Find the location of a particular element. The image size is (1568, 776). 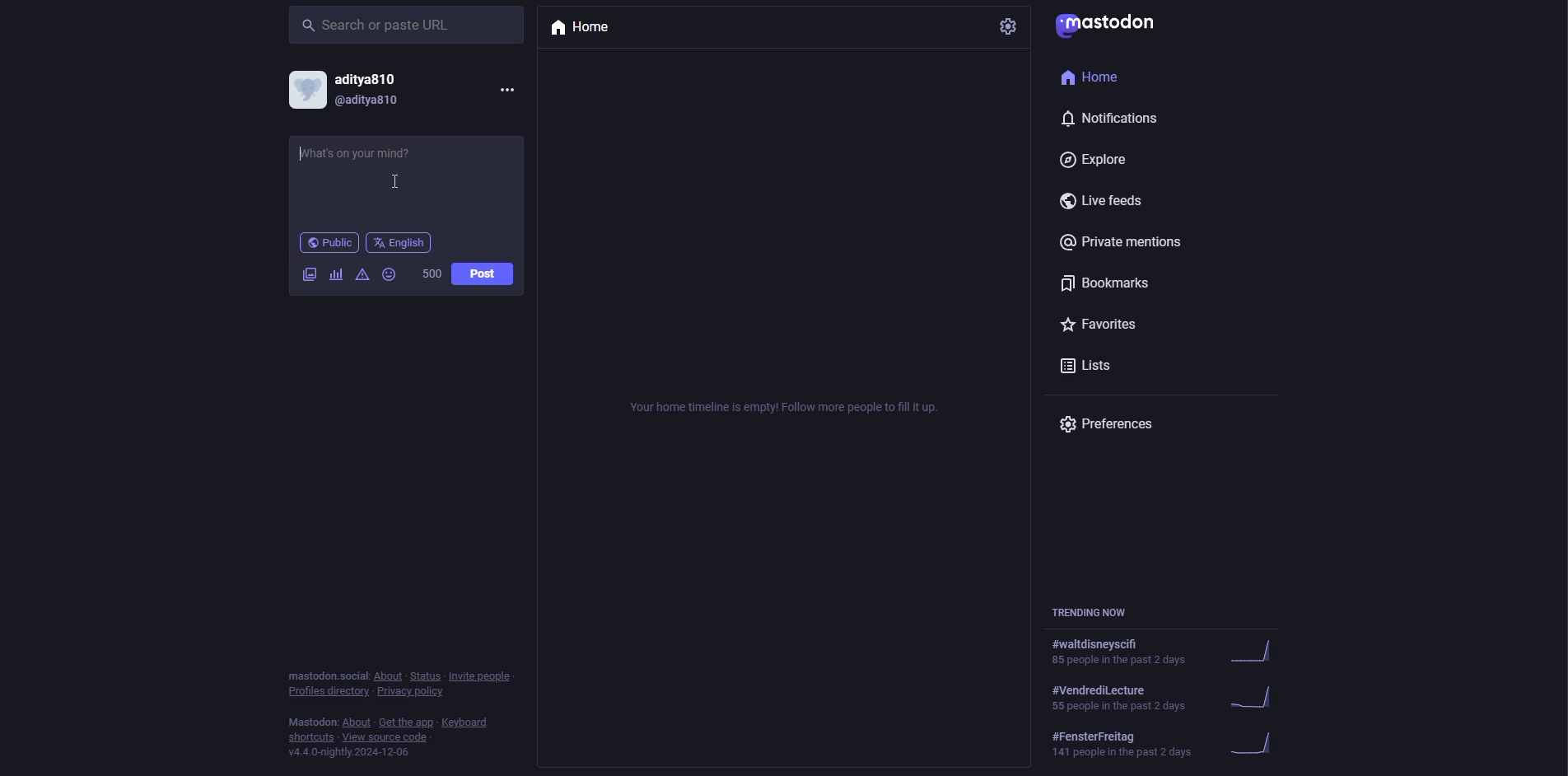

trending now is located at coordinates (1169, 695).